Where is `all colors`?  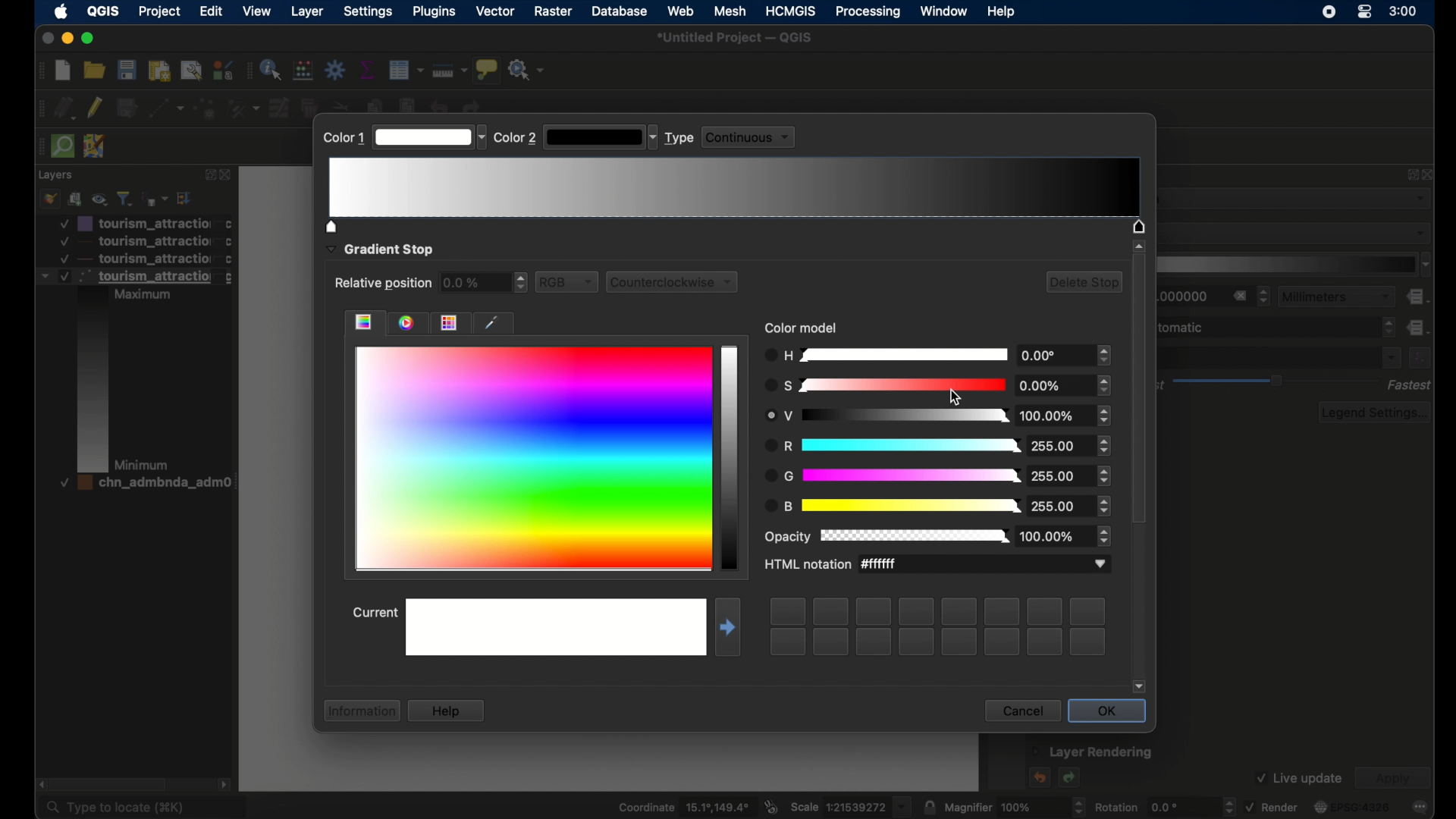 all colors is located at coordinates (532, 458).